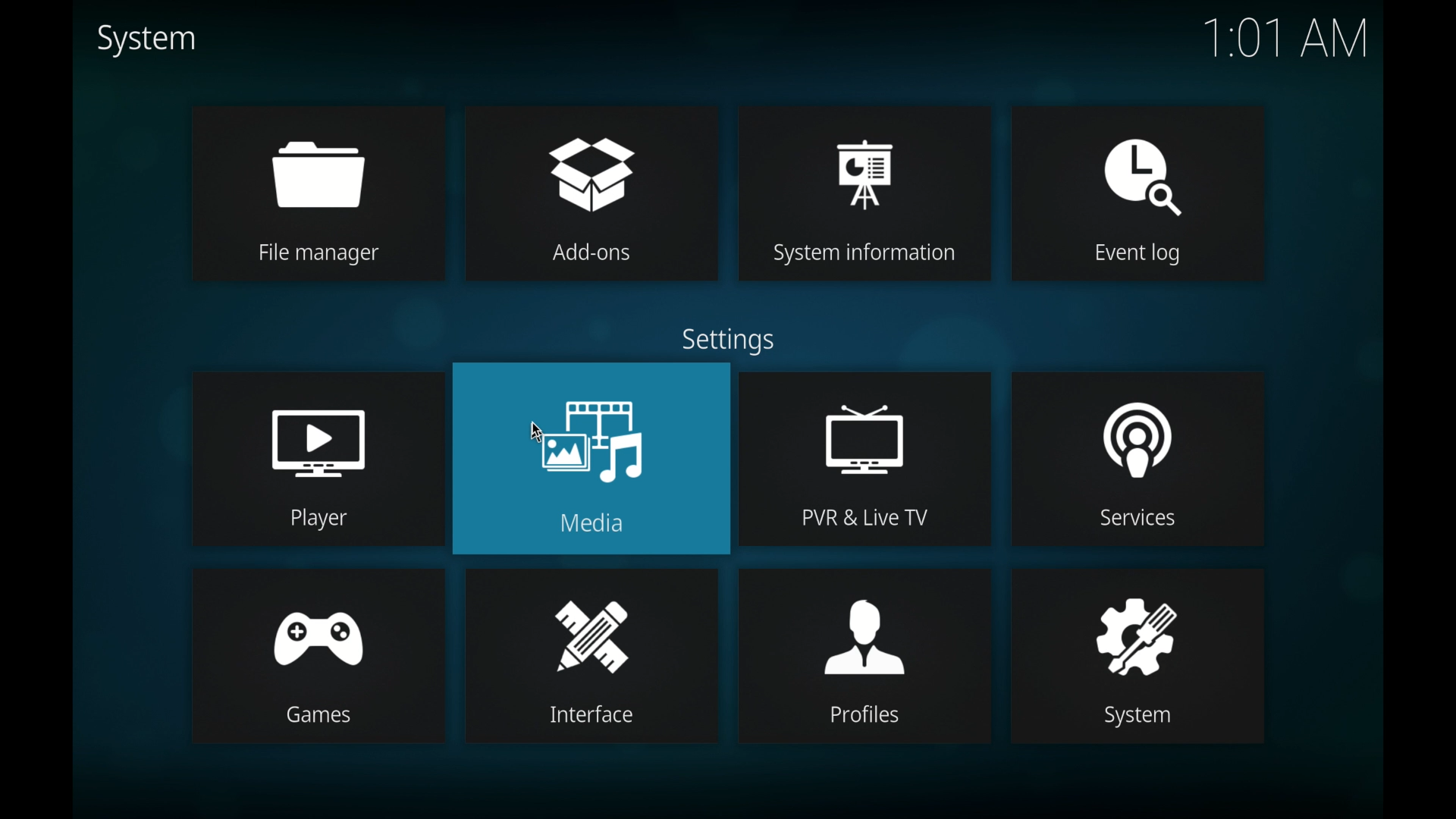  What do you see at coordinates (319, 521) in the screenshot?
I see `Player` at bounding box center [319, 521].